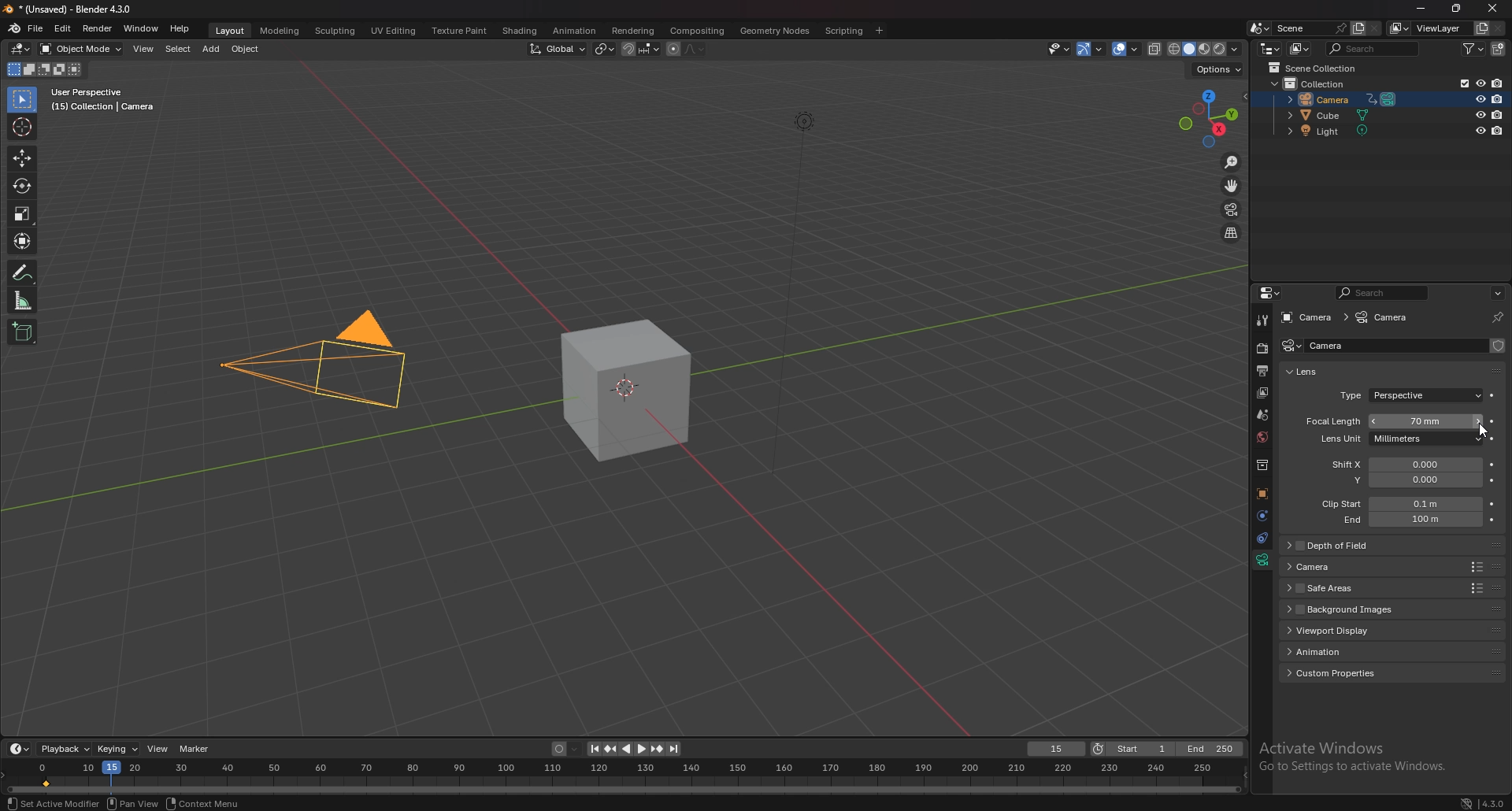 This screenshot has height=811, width=1512. What do you see at coordinates (1262, 494) in the screenshot?
I see `objects` at bounding box center [1262, 494].